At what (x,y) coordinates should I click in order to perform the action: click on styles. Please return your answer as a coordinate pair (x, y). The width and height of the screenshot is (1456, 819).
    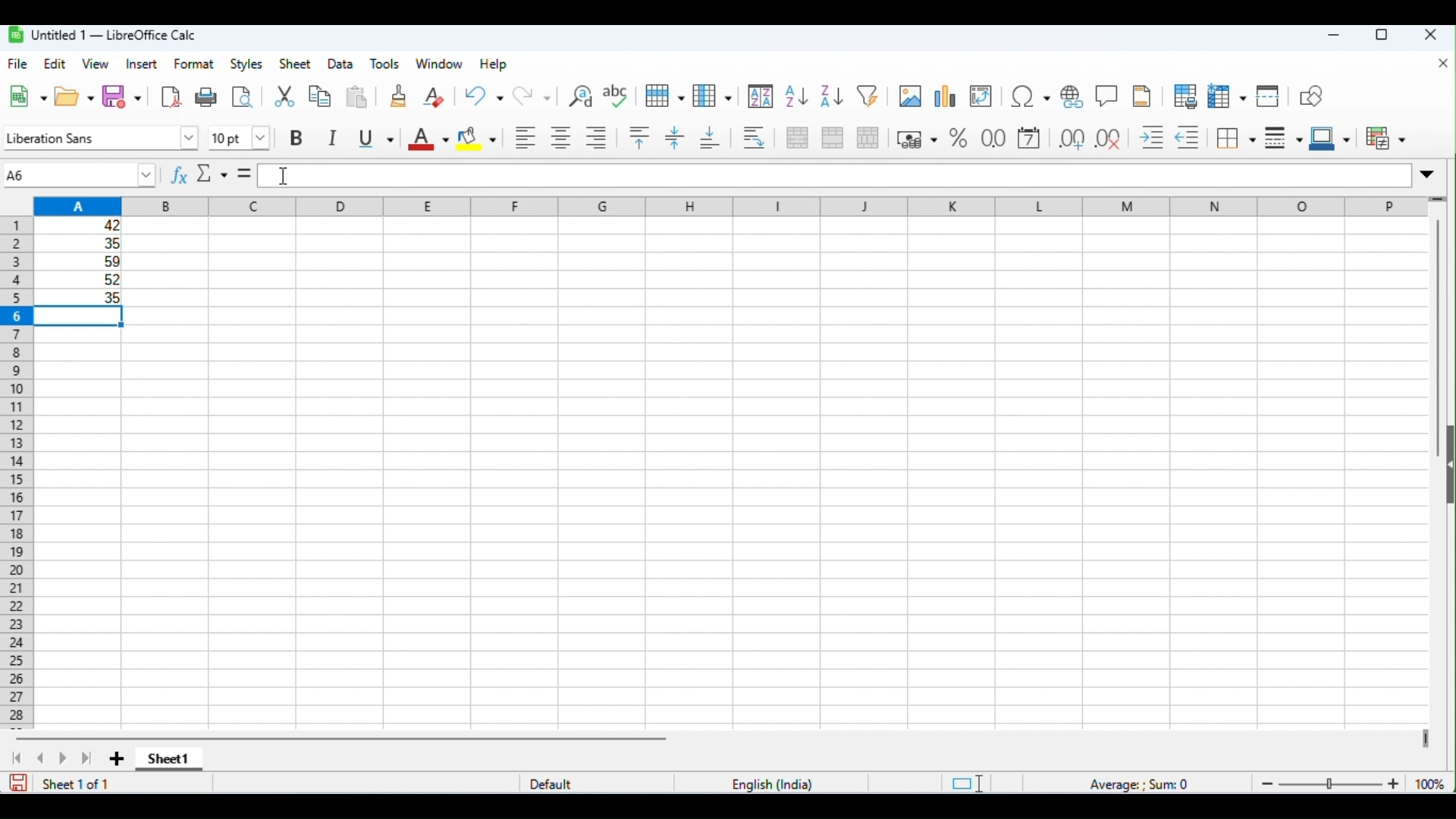
    Looking at the image, I should click on (246, 64).